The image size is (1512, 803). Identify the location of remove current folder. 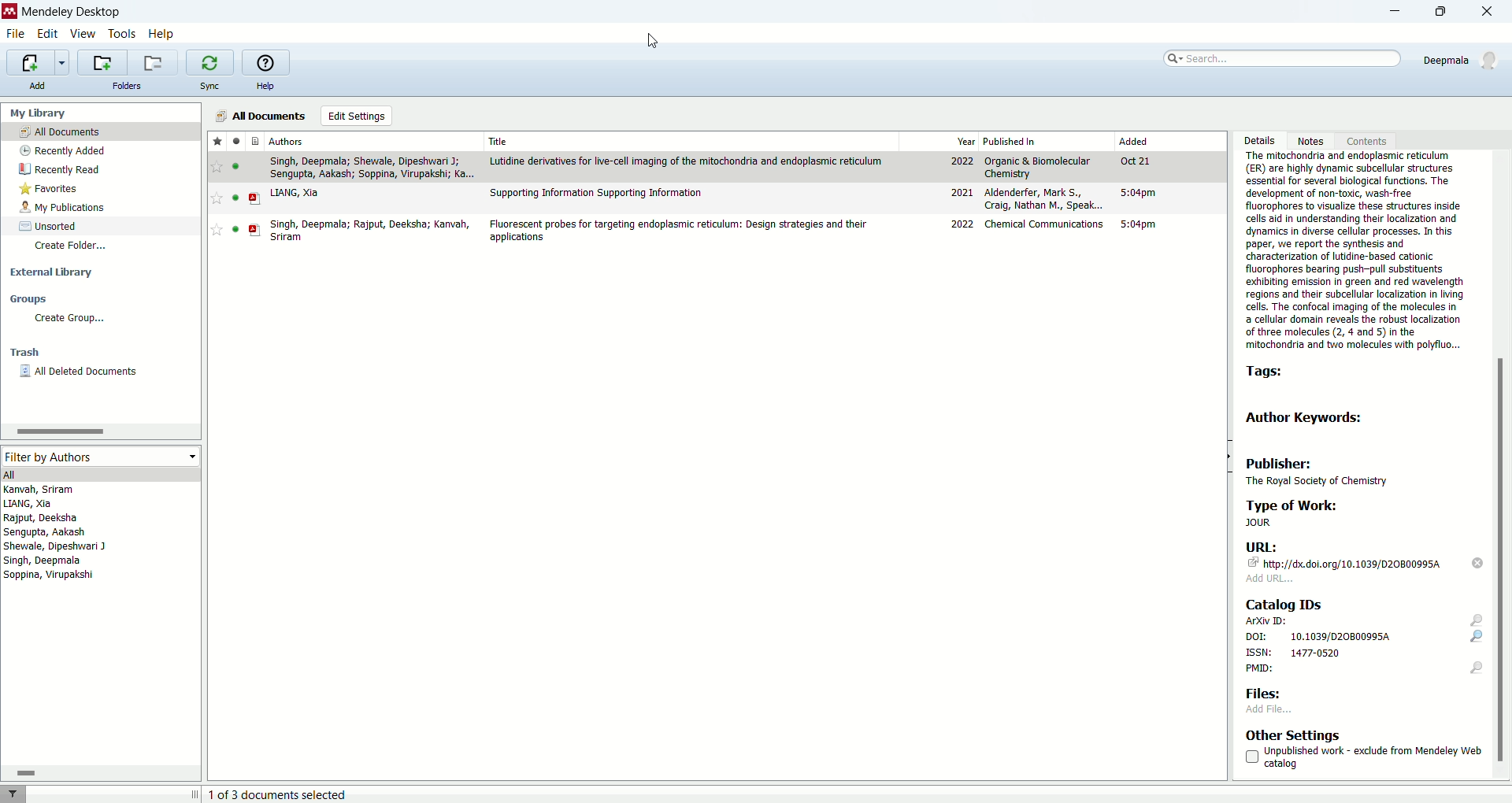
(152, 62).